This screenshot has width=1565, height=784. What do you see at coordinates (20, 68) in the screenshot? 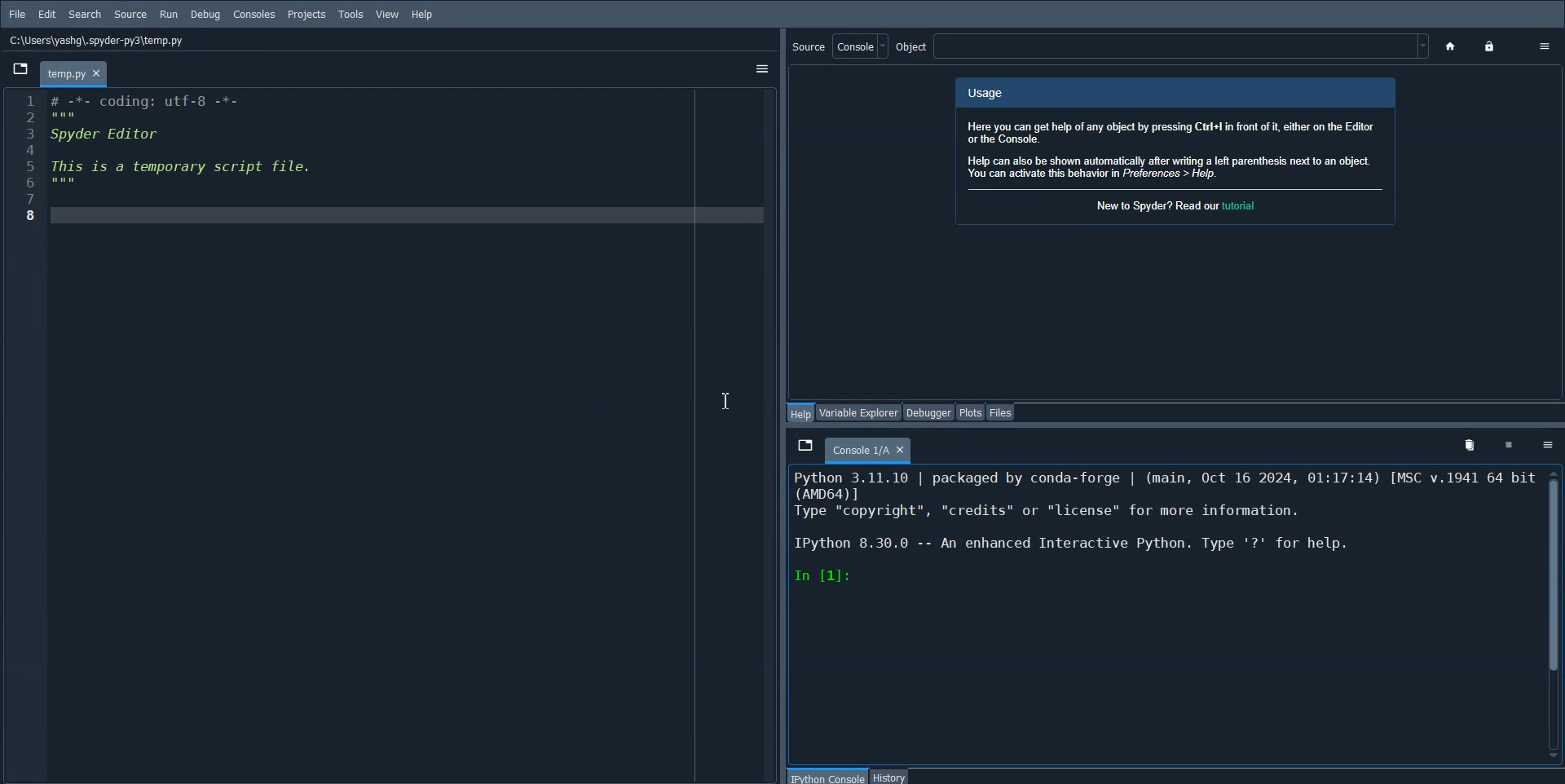
I see `Browse Tab` at bounding box center [20, 68].